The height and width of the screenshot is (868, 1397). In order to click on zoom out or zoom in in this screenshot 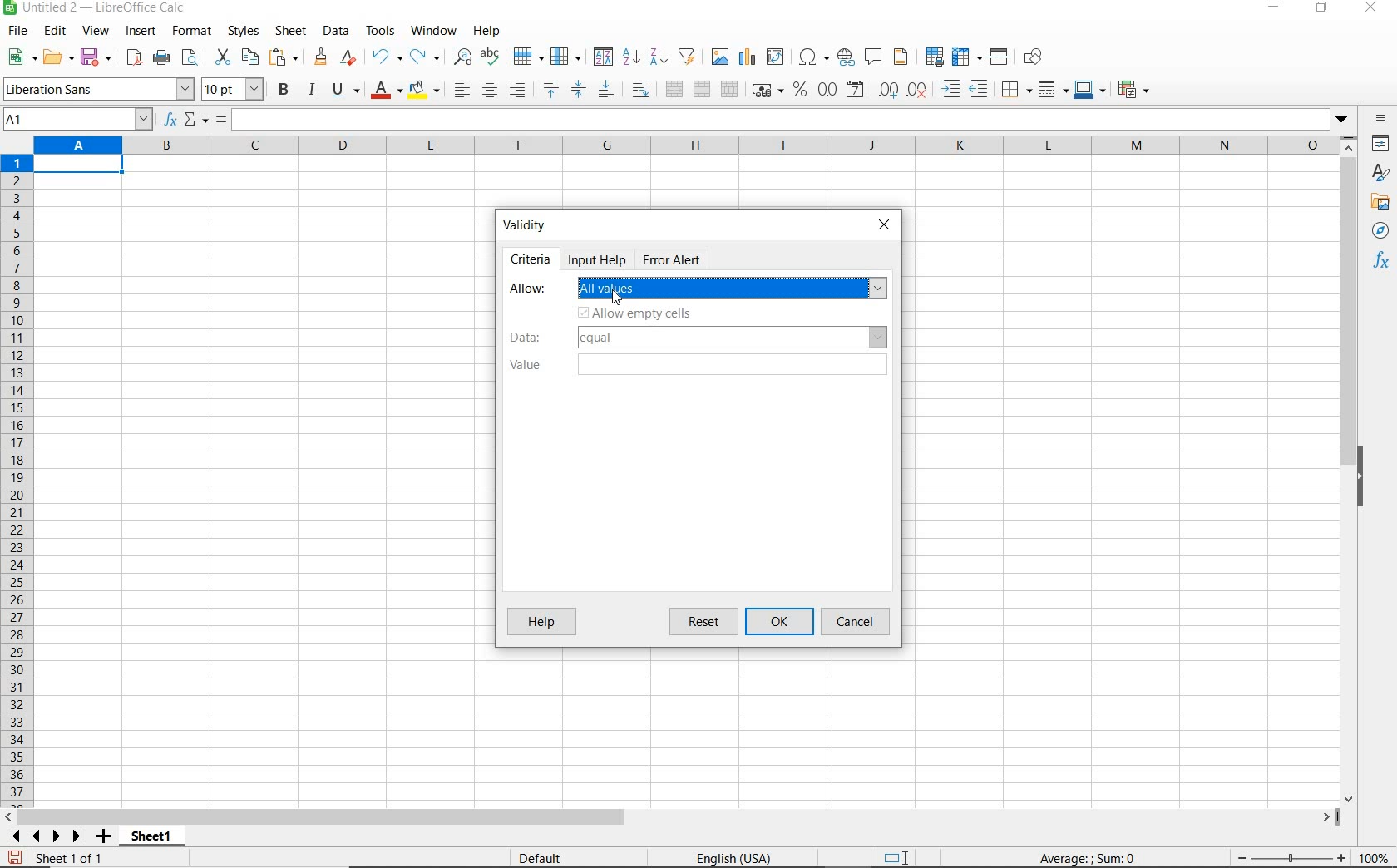, I will do `click(1285, 857)`.